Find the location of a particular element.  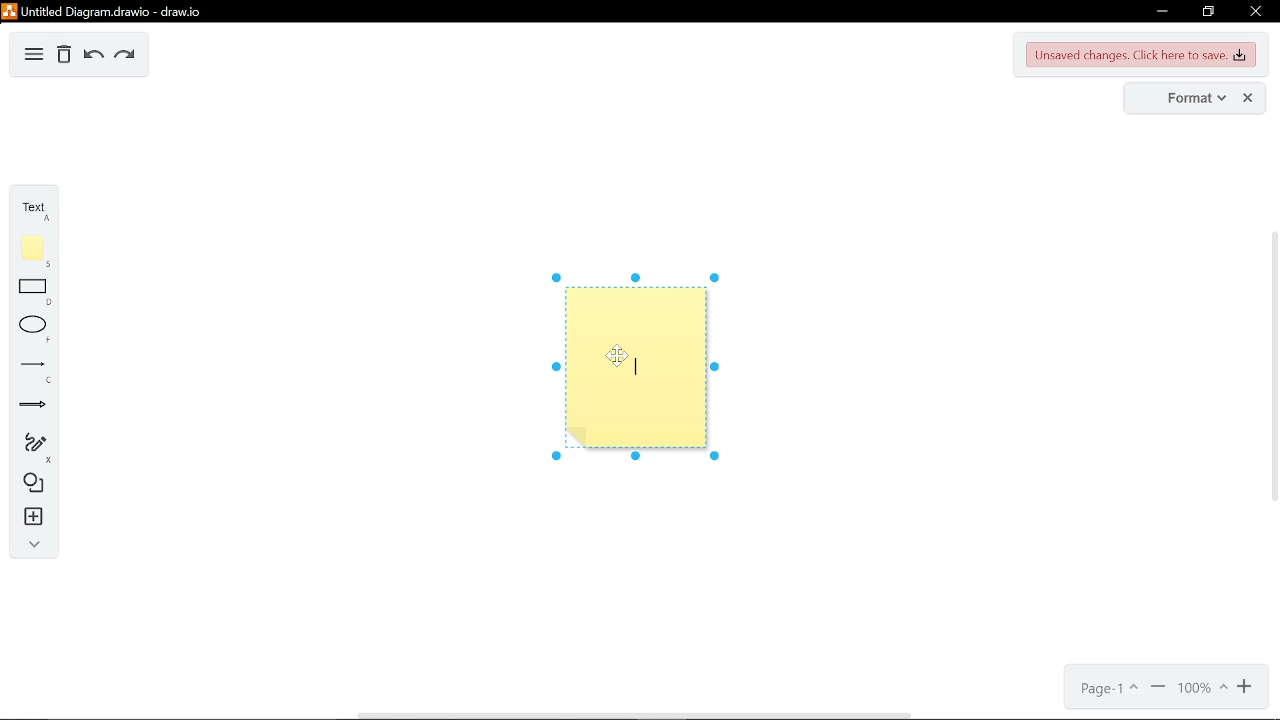

zoom in is located at coordinates (1246, 688).